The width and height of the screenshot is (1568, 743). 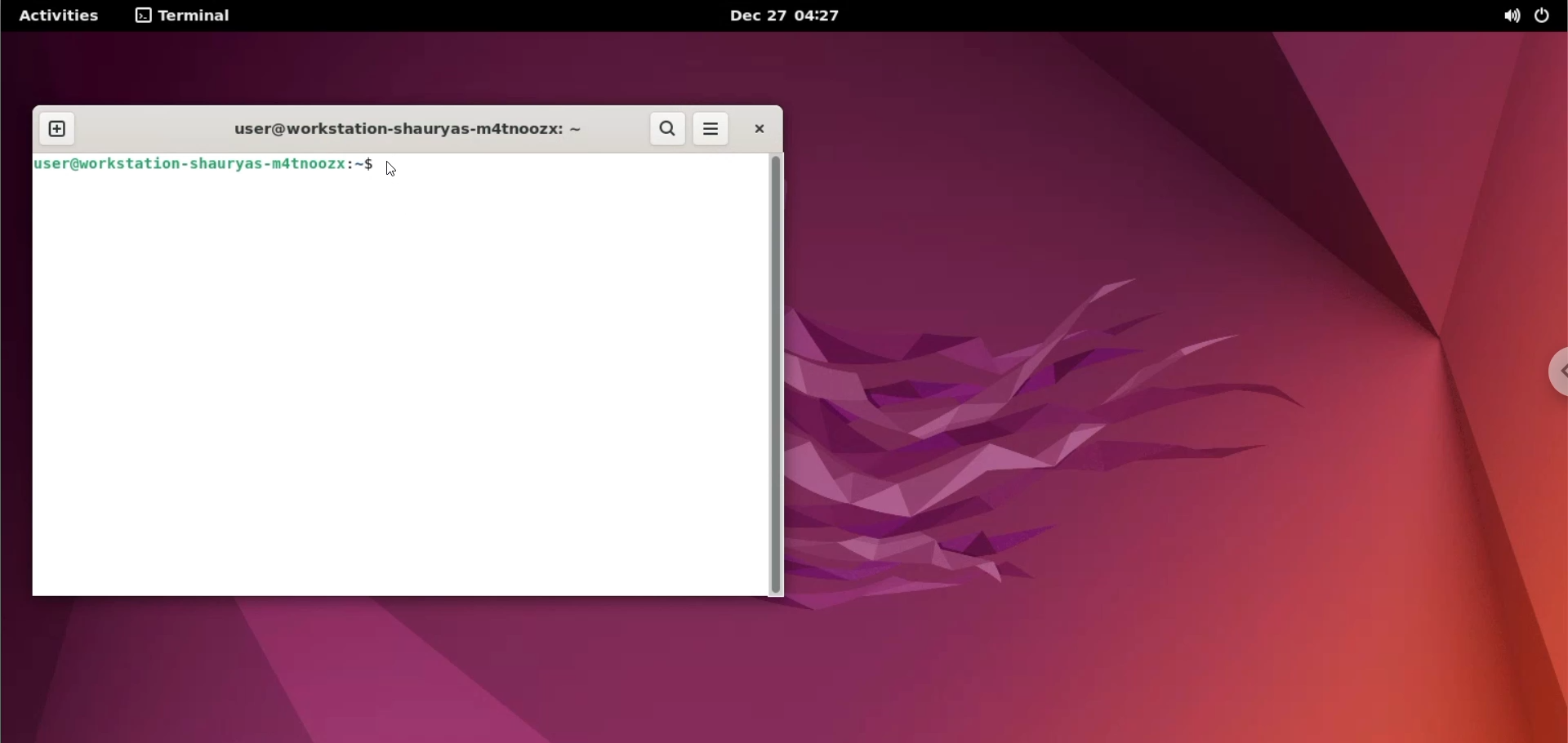 What do you see at coordinates (58, 130) in the screenshot?
I see `new tab` at bounding box center [58, 130].